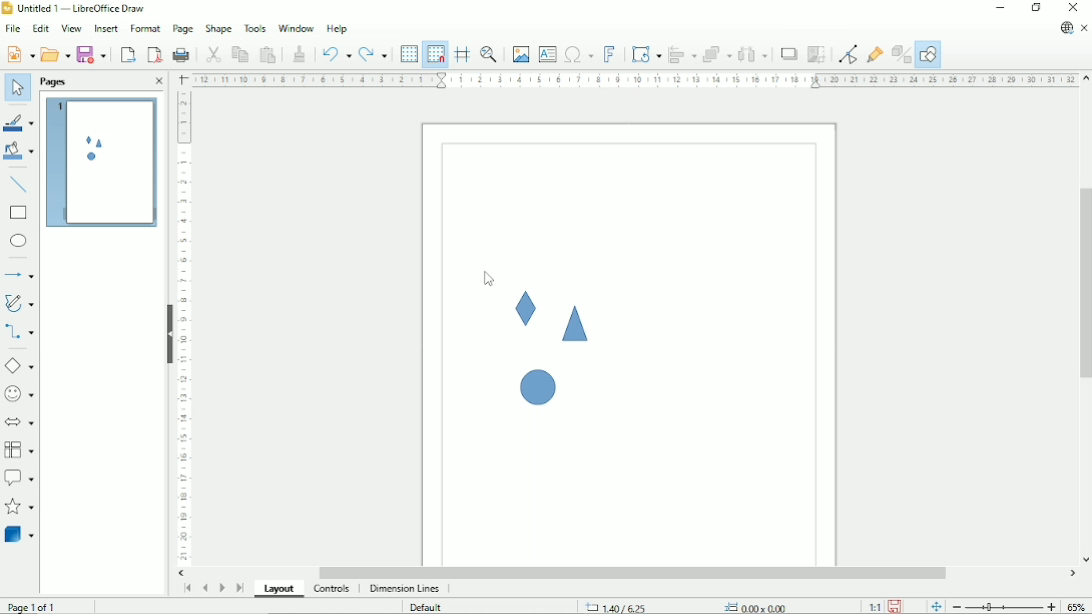 The width and height of the screenshot is (1092, 614). Describe the element at coordinates (99, 163) in the screenshot. I see `Preview` at that location.